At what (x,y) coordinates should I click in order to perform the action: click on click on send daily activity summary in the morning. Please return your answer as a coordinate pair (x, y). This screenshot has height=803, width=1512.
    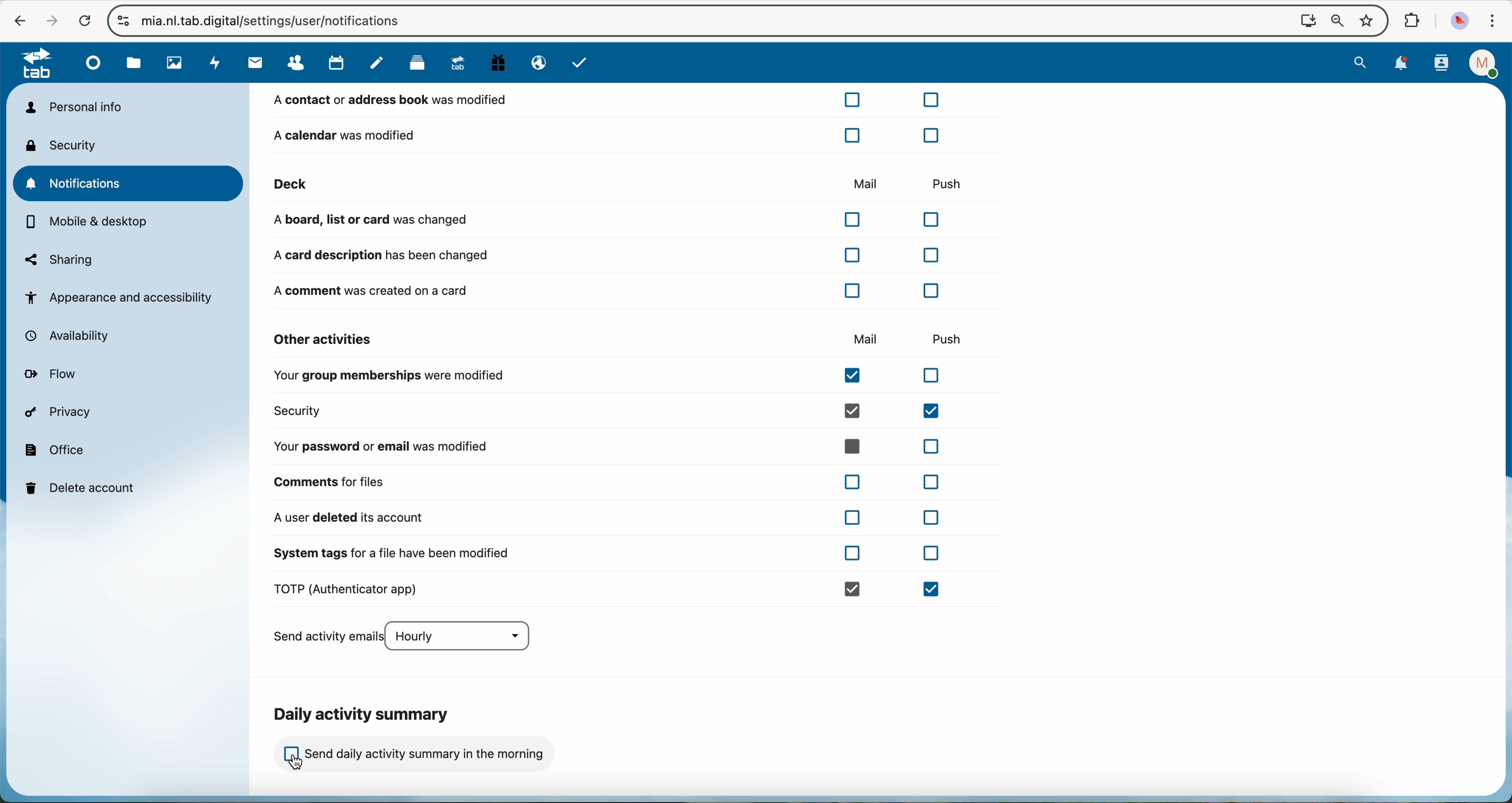
    Looking at the image, I should click on (413, 754).